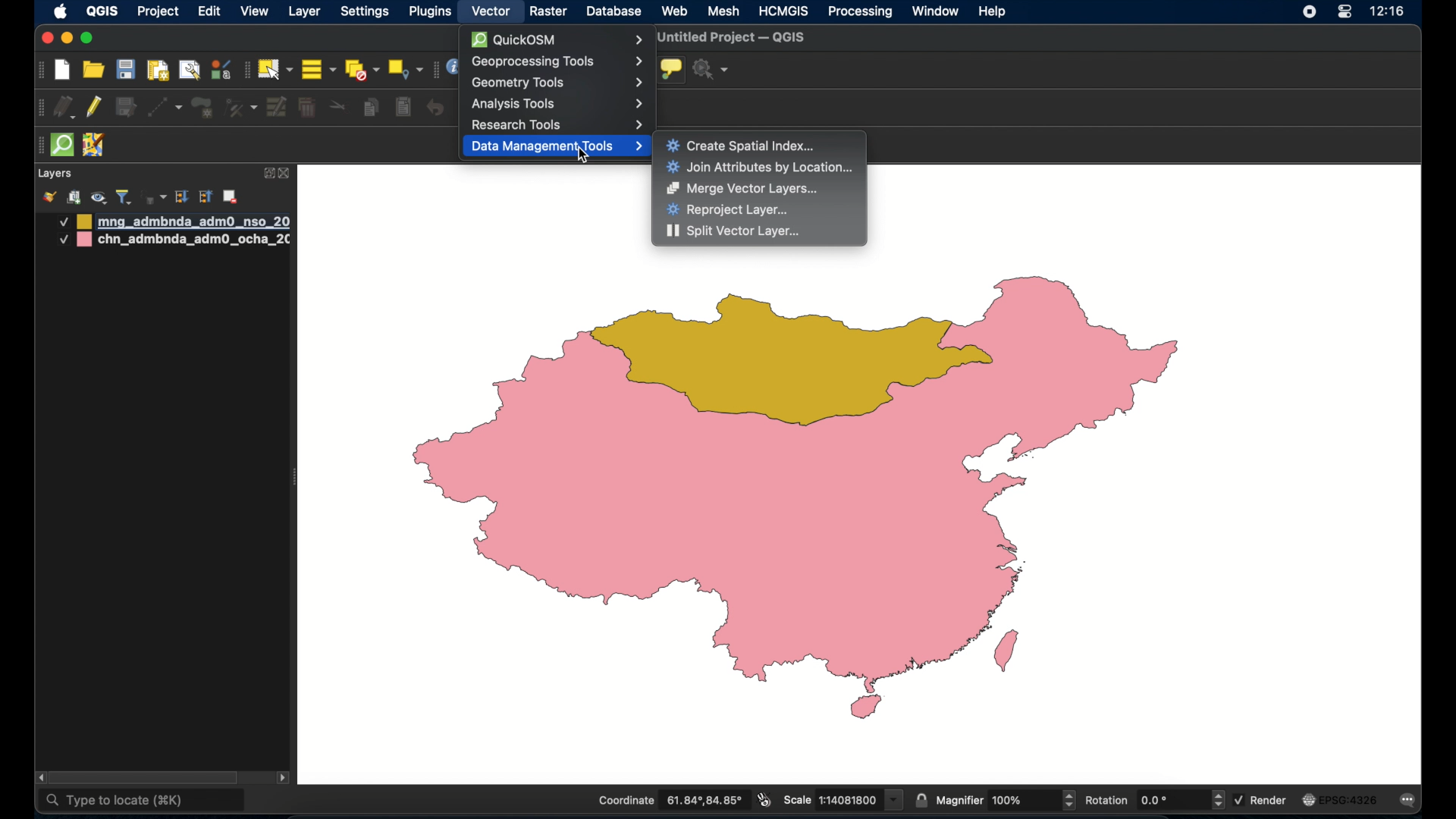 Image resolution: width=1456 pixels, height=819 pixels. What do you see at coordinates (143, 802) in the screenshot?
I see `type to locate` at bounding box center [143, 802].